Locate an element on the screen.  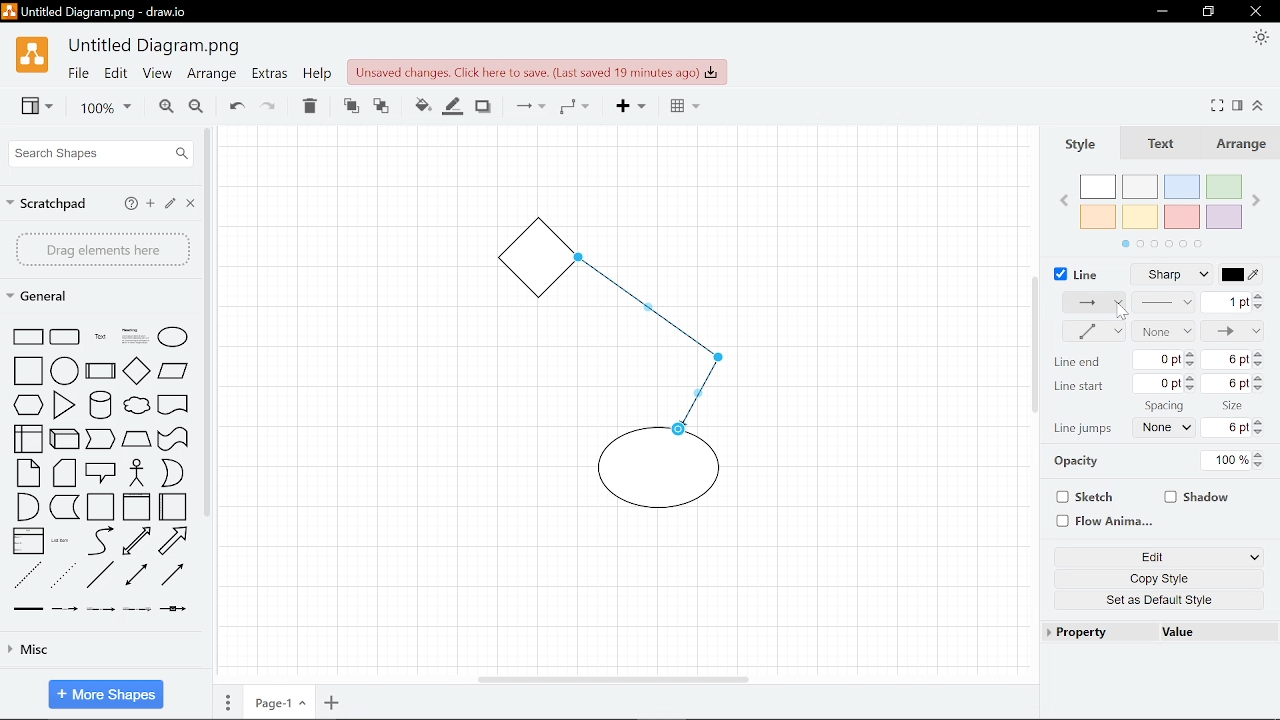
Drag elements here is located at coordinates (102, 249).